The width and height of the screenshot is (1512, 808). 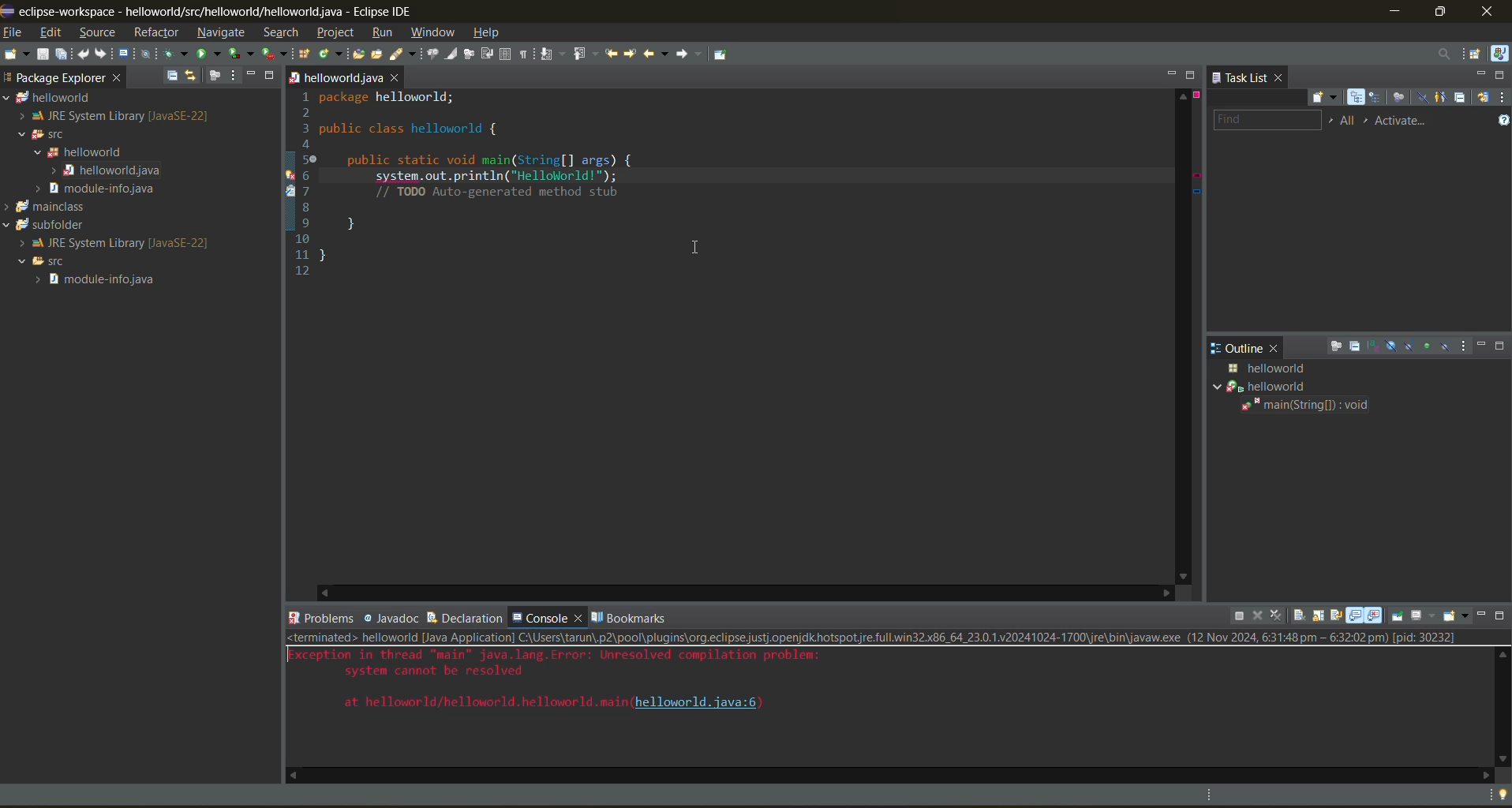 What do you see at coordinates (692, 252) in the screenshot?
I see `cursor` at bounding box center [692, 252].